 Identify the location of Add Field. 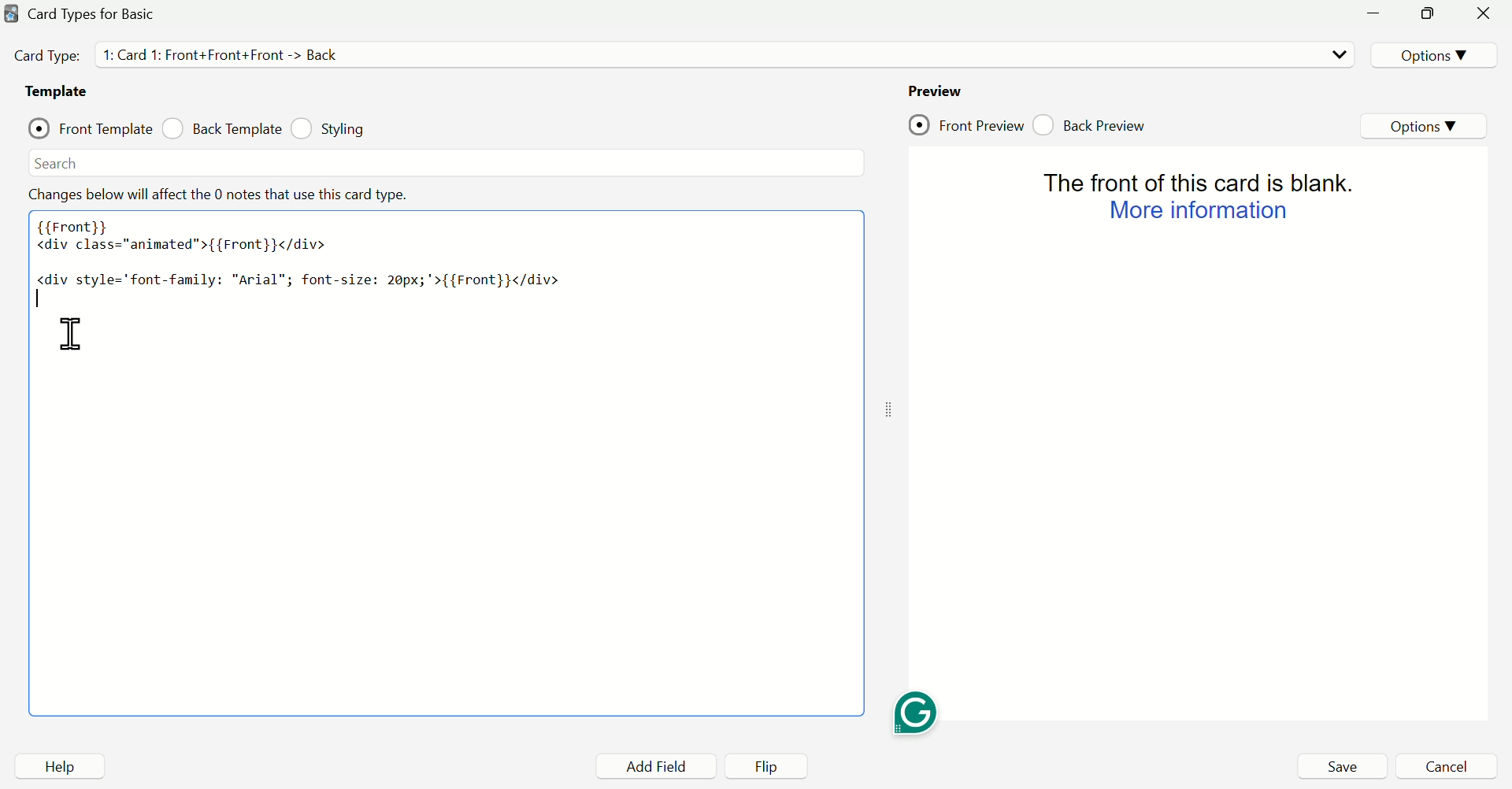
(647, 765).